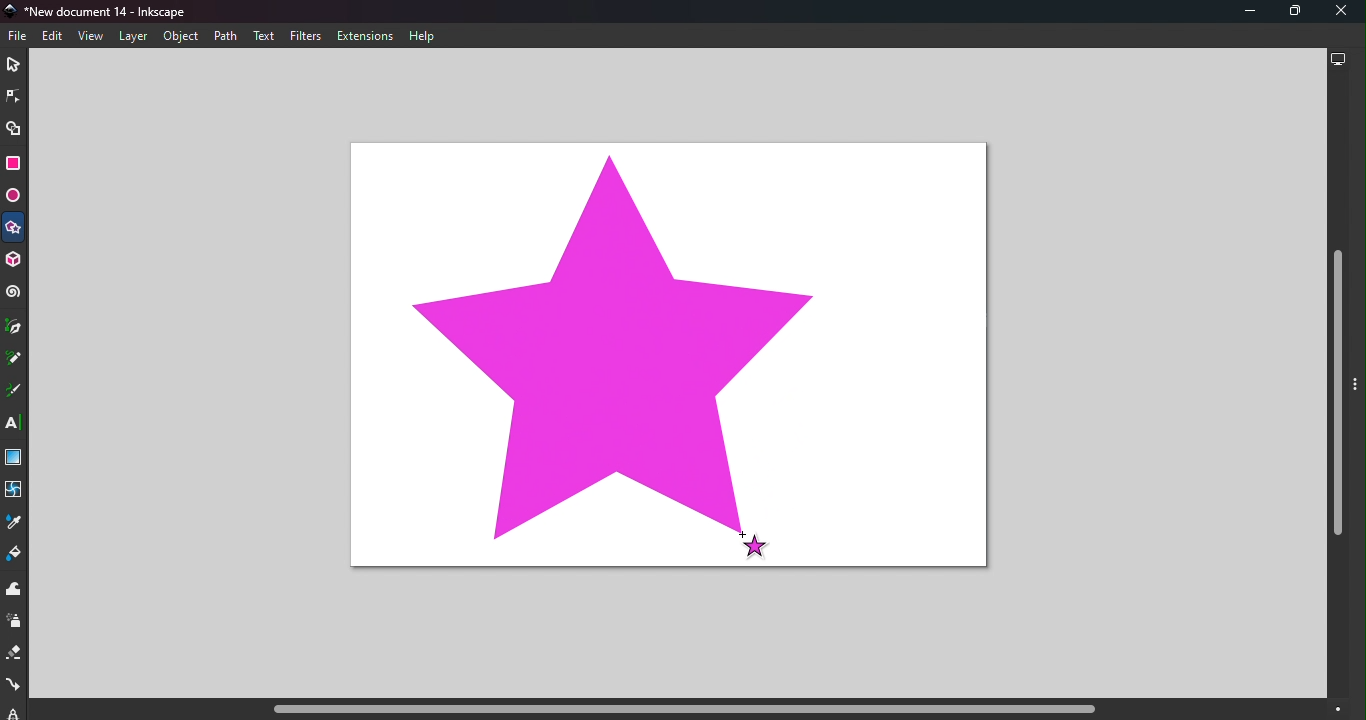  What do you see at coordinates (13, 687) in the screenshot?
I see `Connector tool` at bounding box center [13, 687].